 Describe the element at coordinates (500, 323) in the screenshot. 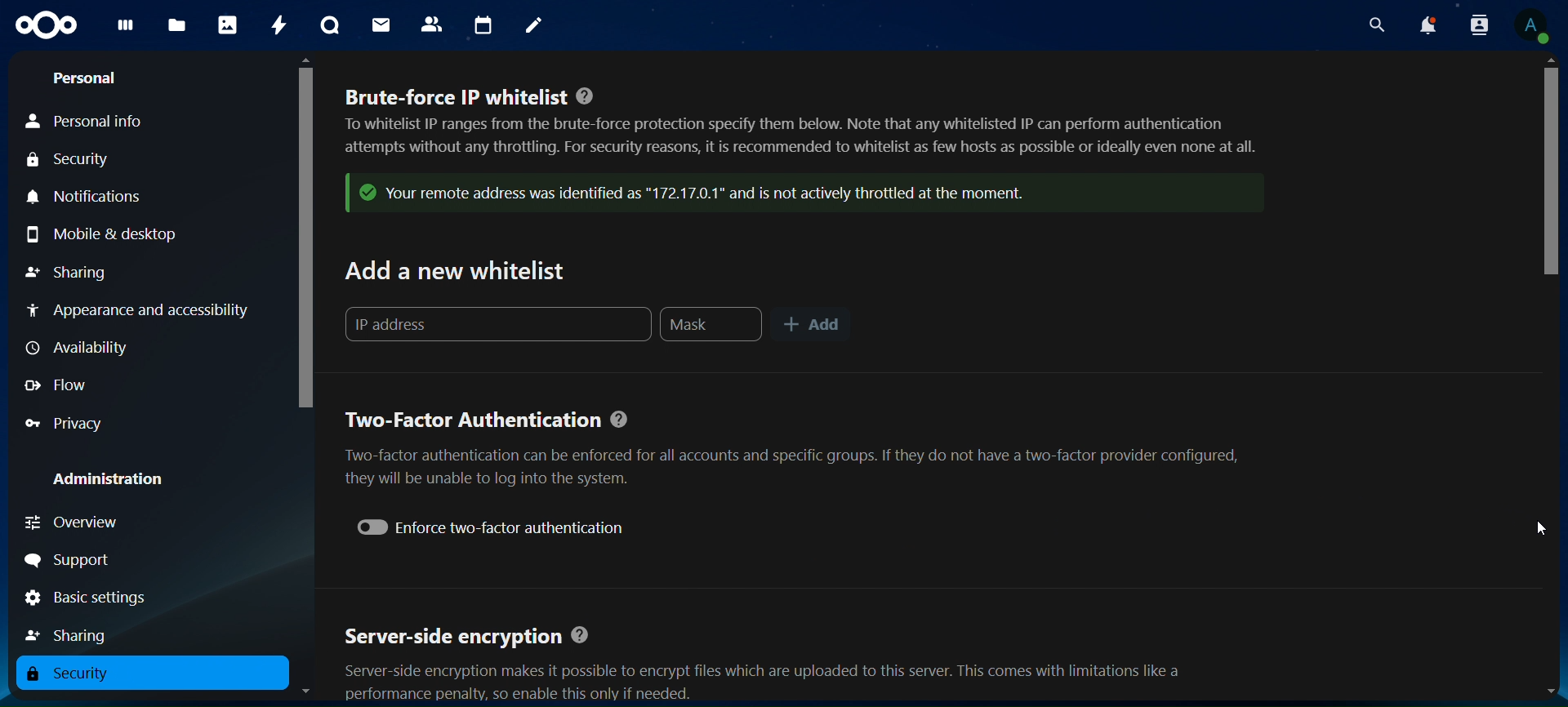

I see `IP address` at that location.